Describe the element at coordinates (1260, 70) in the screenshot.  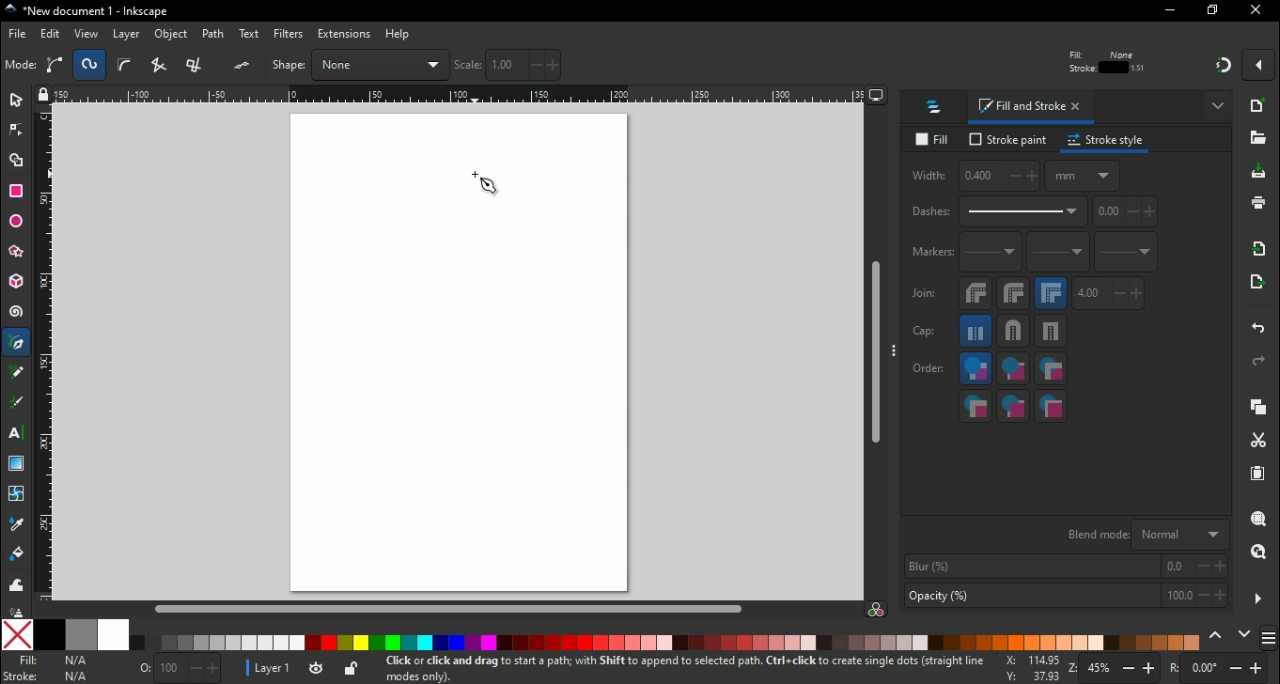
I see `snapping options` at that location.